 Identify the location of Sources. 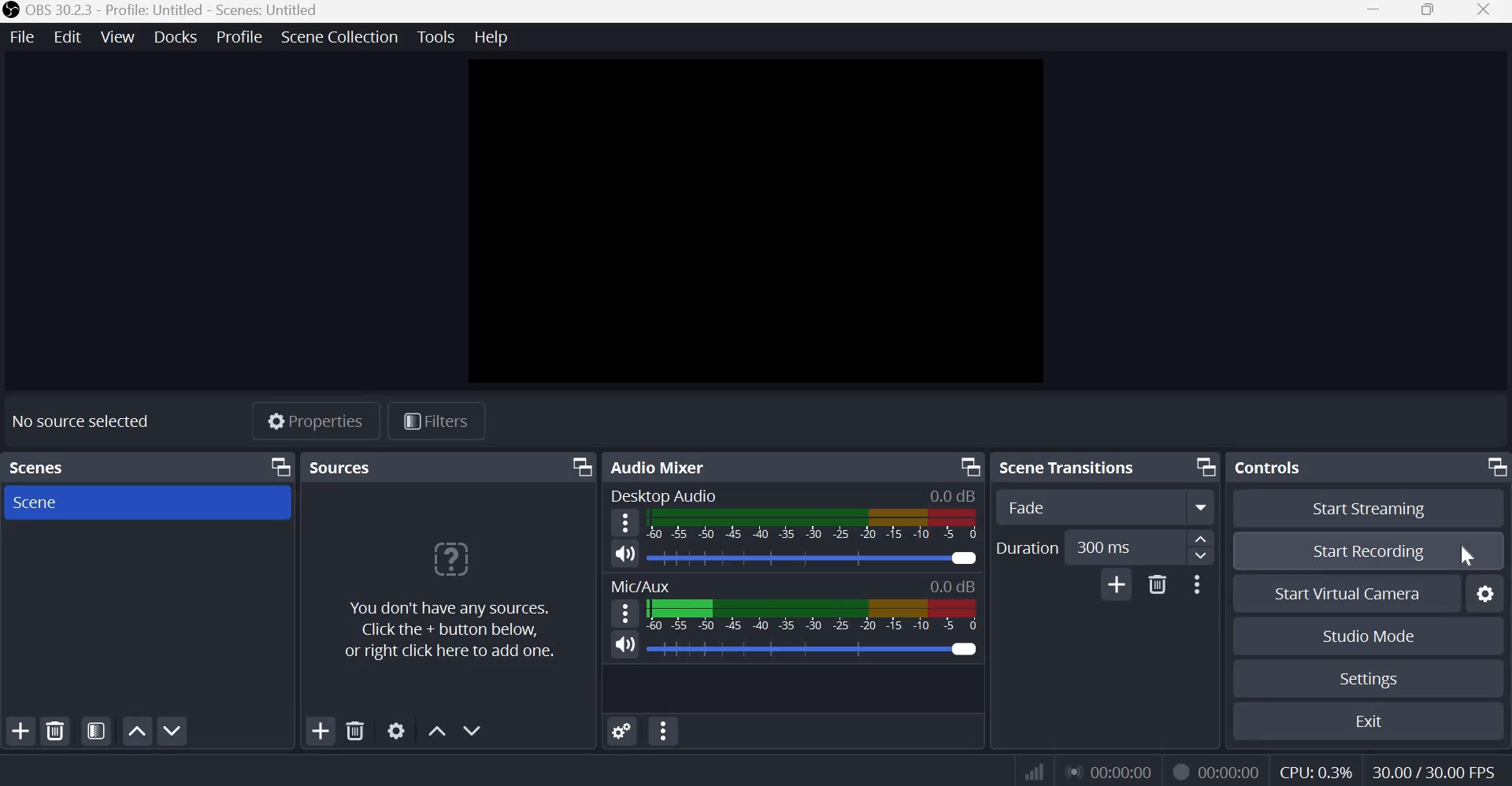
(402, 467).